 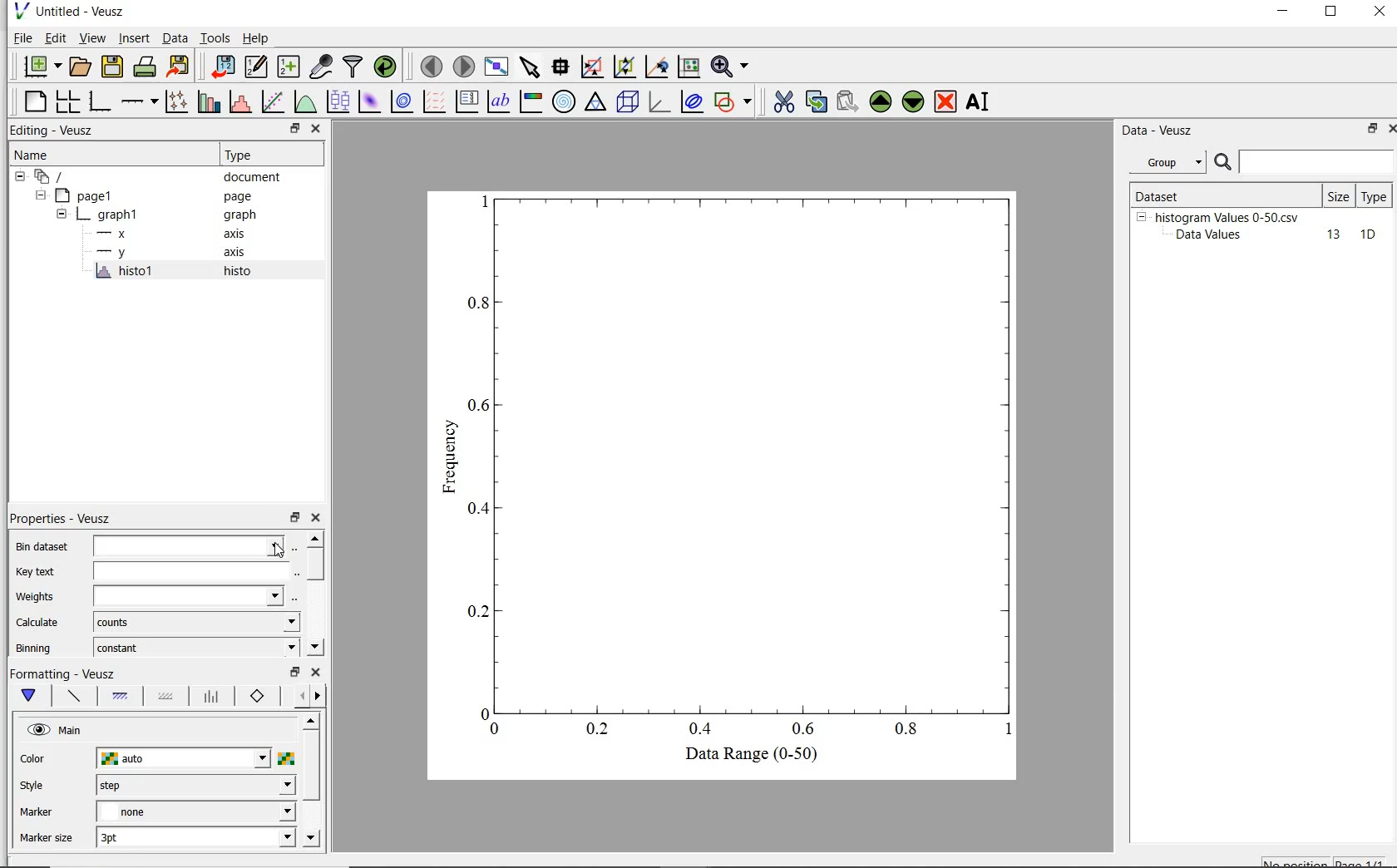 I want to click on blank page, so click(x=36, y=101).